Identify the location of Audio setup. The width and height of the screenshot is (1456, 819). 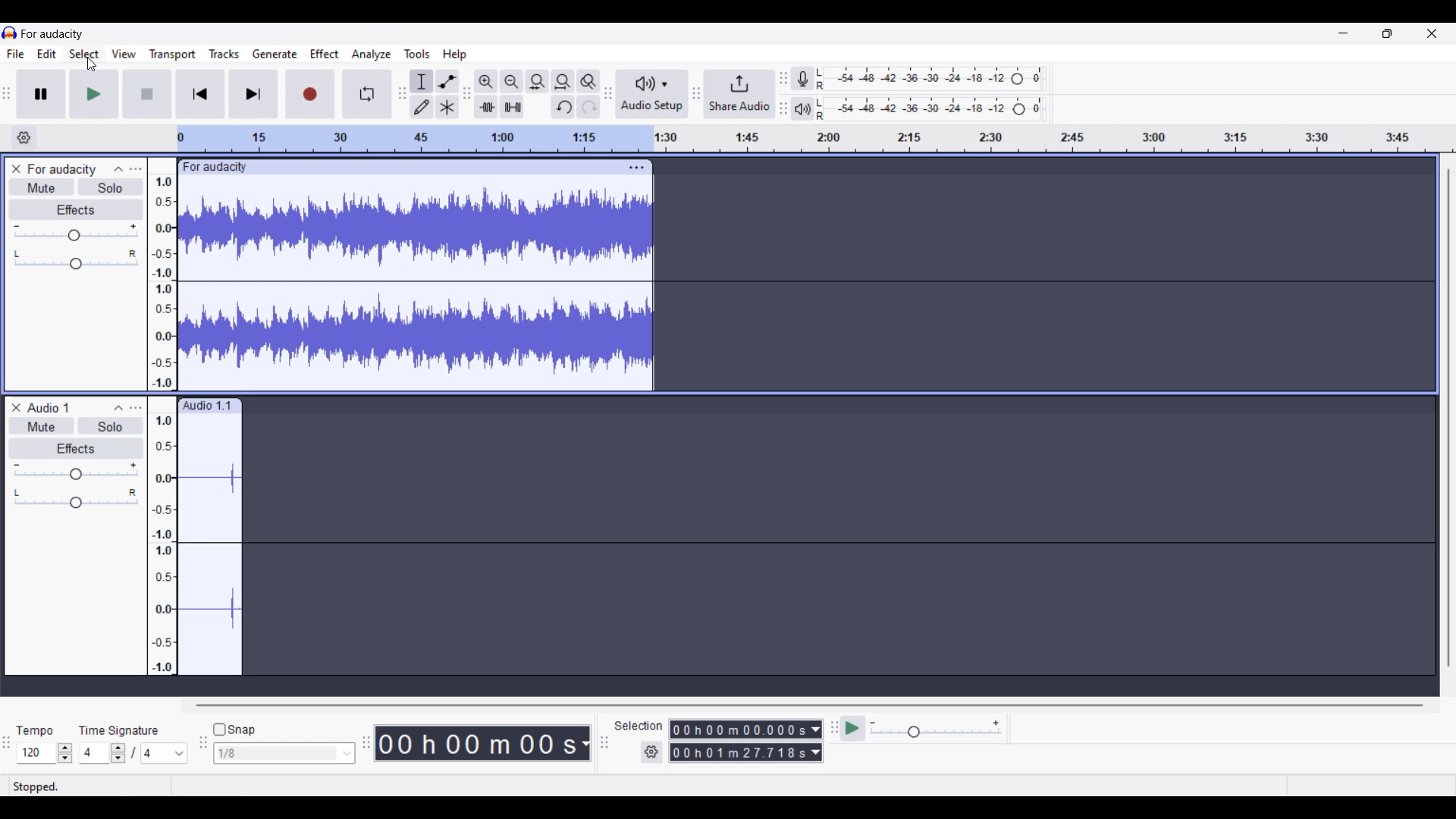
(652, 94).